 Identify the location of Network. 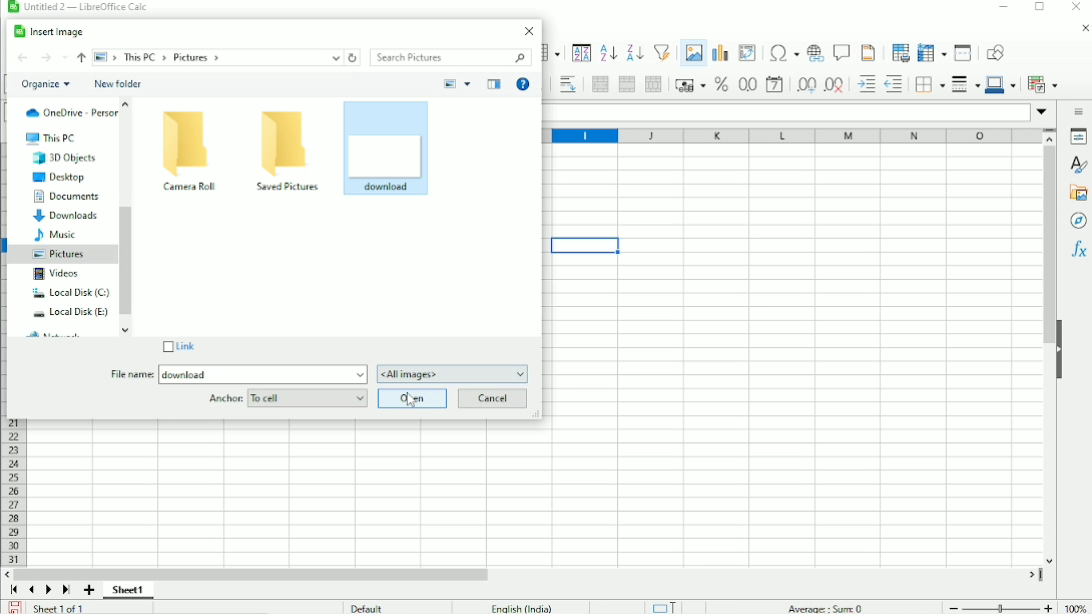
(54, 333).